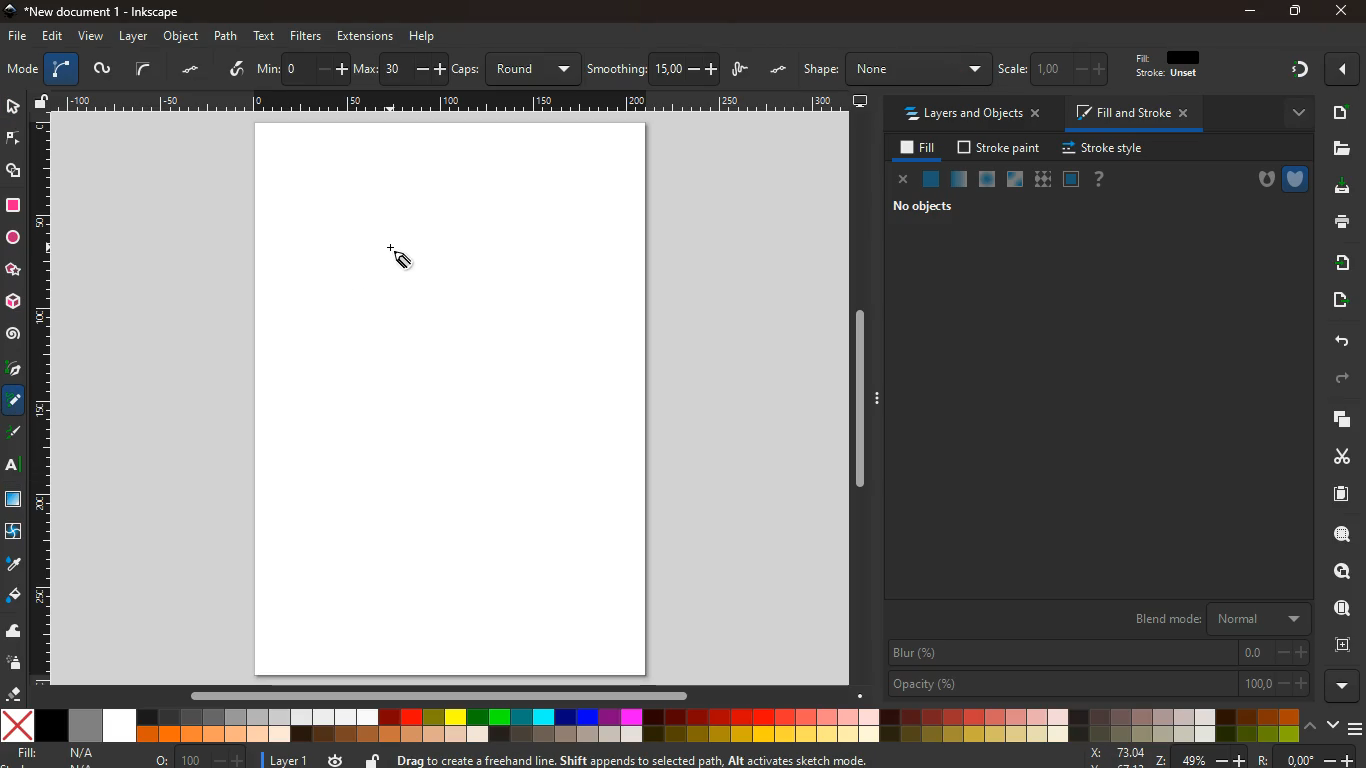  Describe the element at coordinates (1057, 68) in the screenshot. I see `scale` at that location.